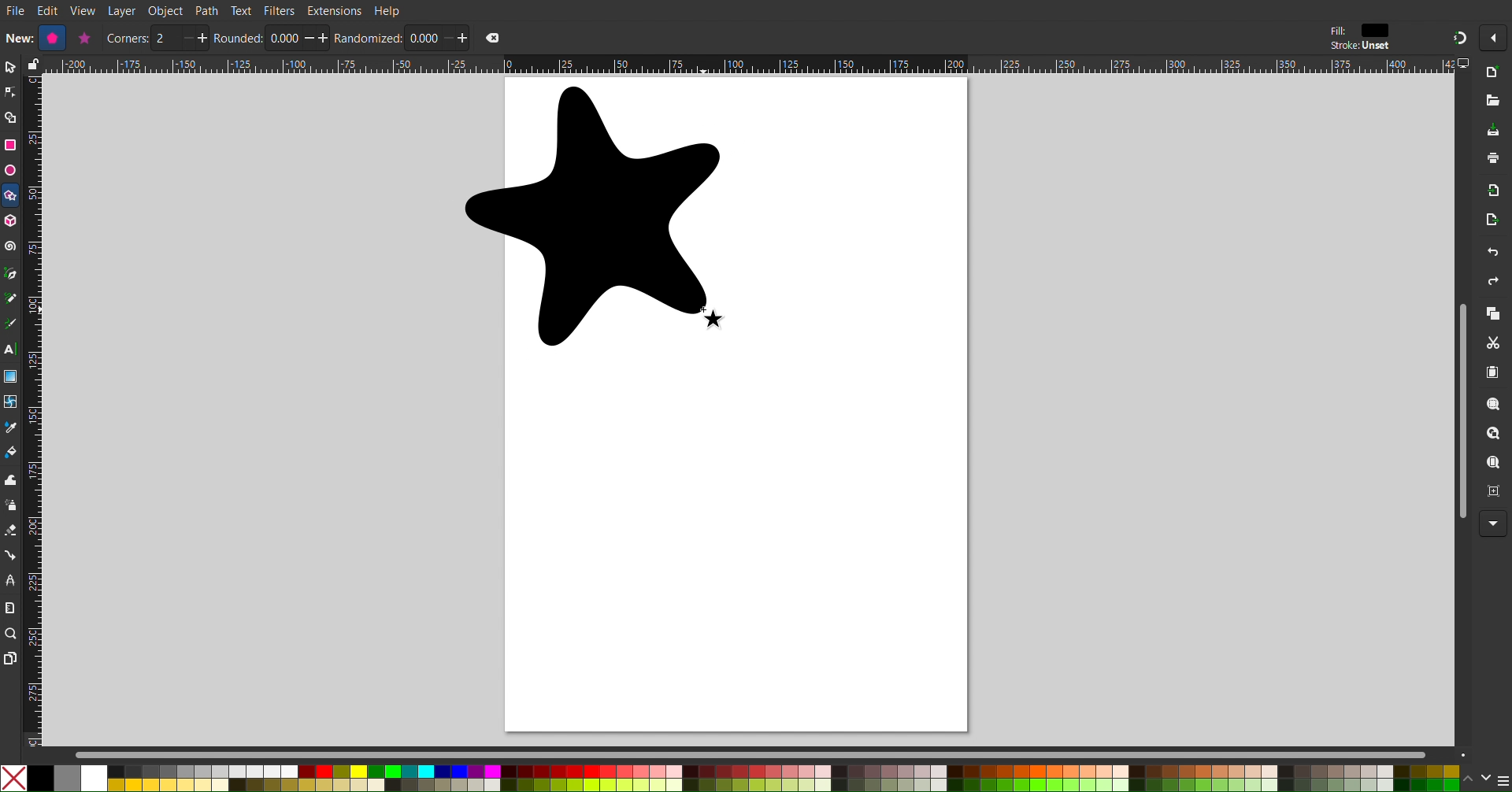  Describe the element at coordinates (1495, 406) in the screenshot. I see `Zoom Selection` at that location.